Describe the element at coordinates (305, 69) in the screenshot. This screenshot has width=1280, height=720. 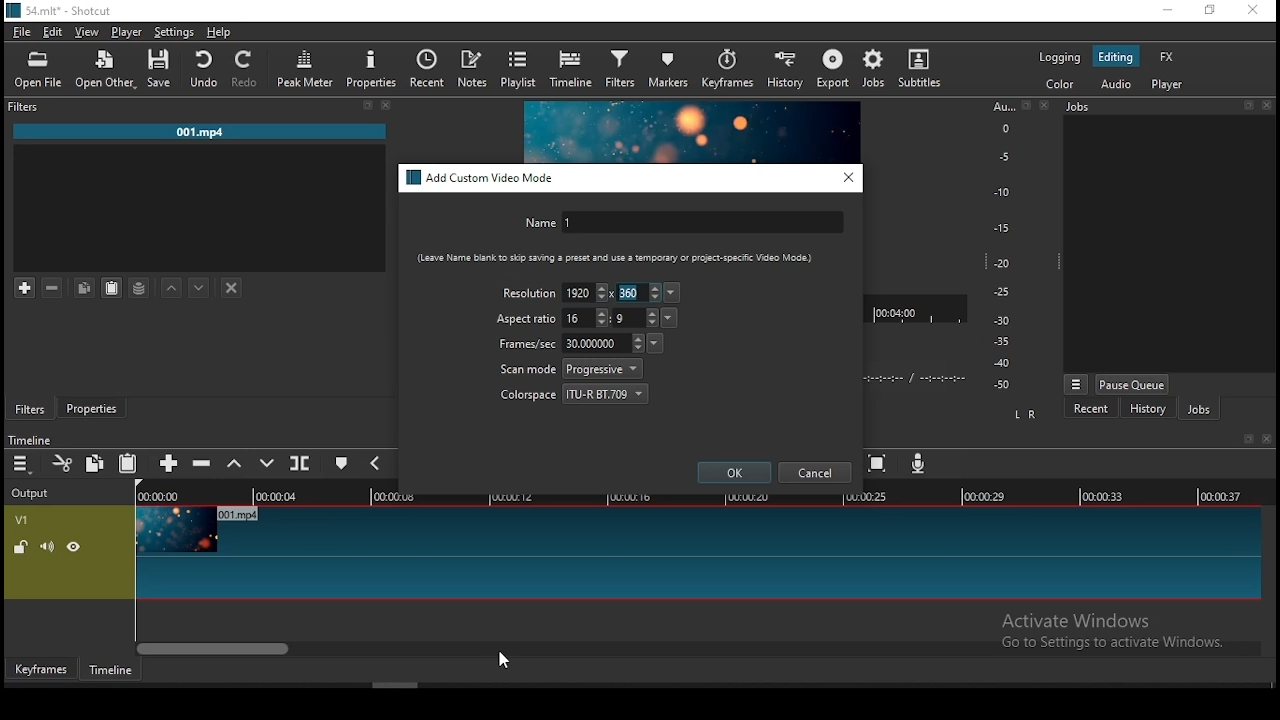
I see `peak meter` at that location.